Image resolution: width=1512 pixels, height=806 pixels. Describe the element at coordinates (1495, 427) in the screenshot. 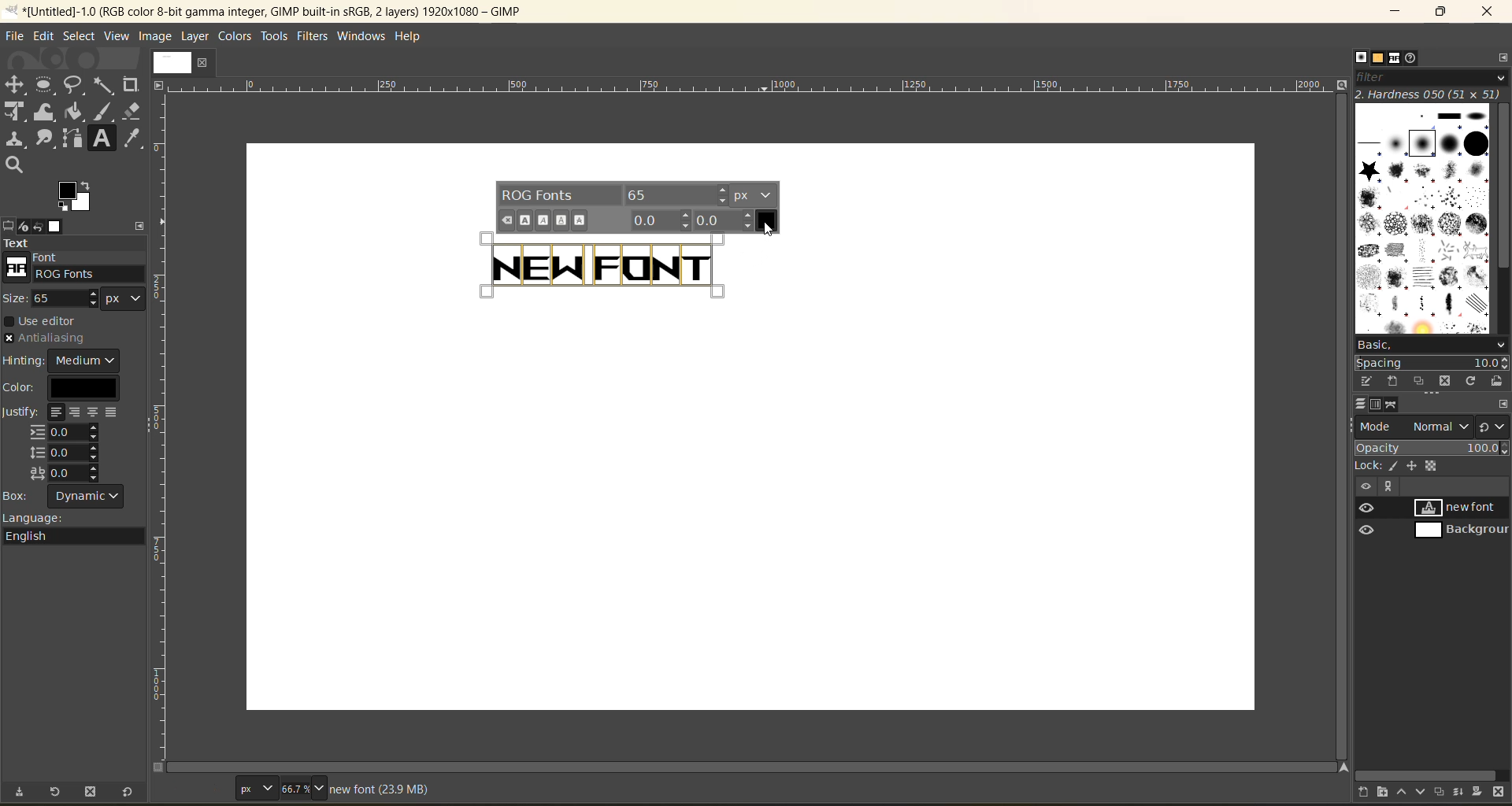

I see `switch to another group of modes` at that location.